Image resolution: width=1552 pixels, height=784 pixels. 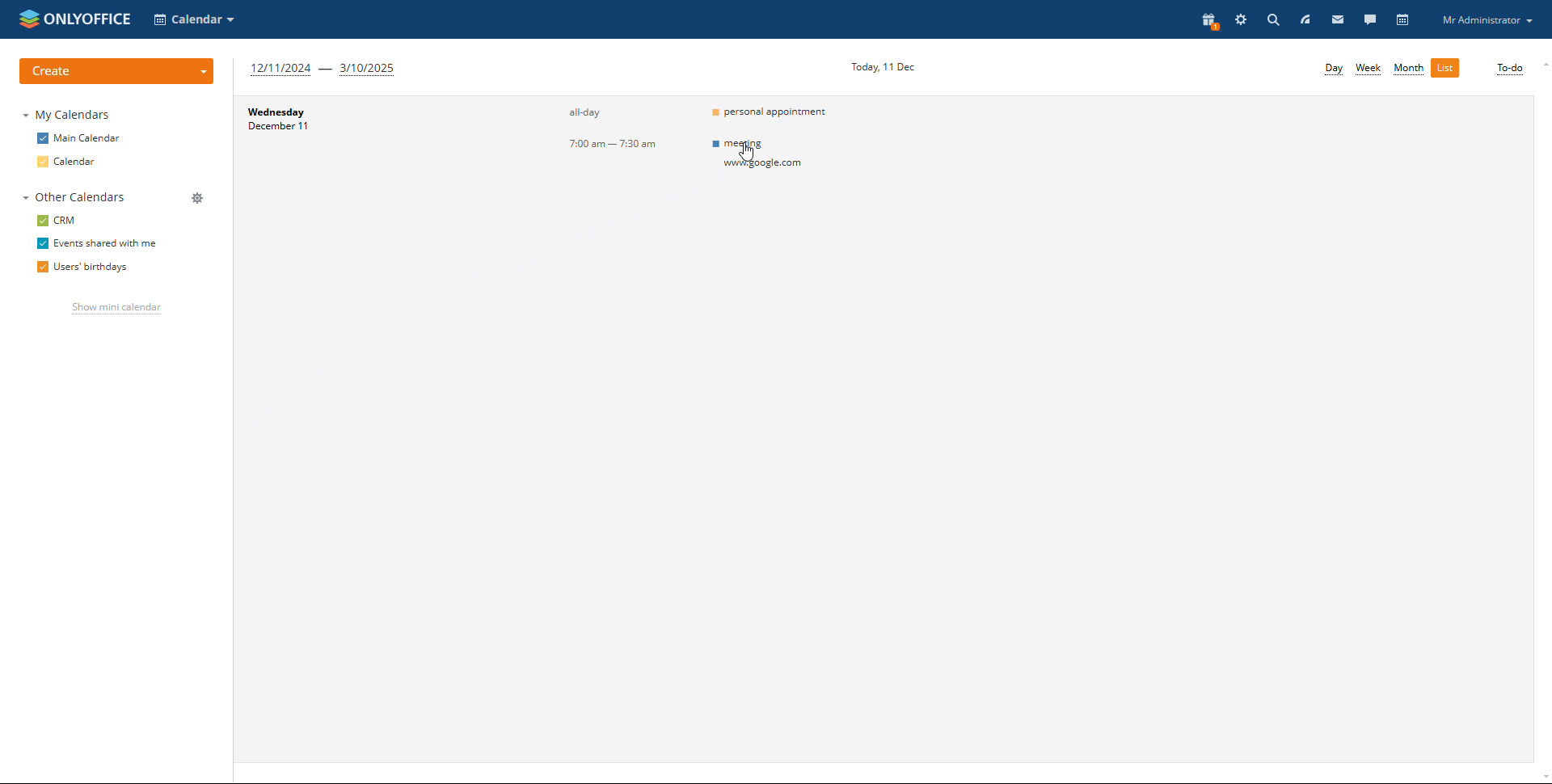 I want to click on users' birthdays, so click(x=82, y=268).